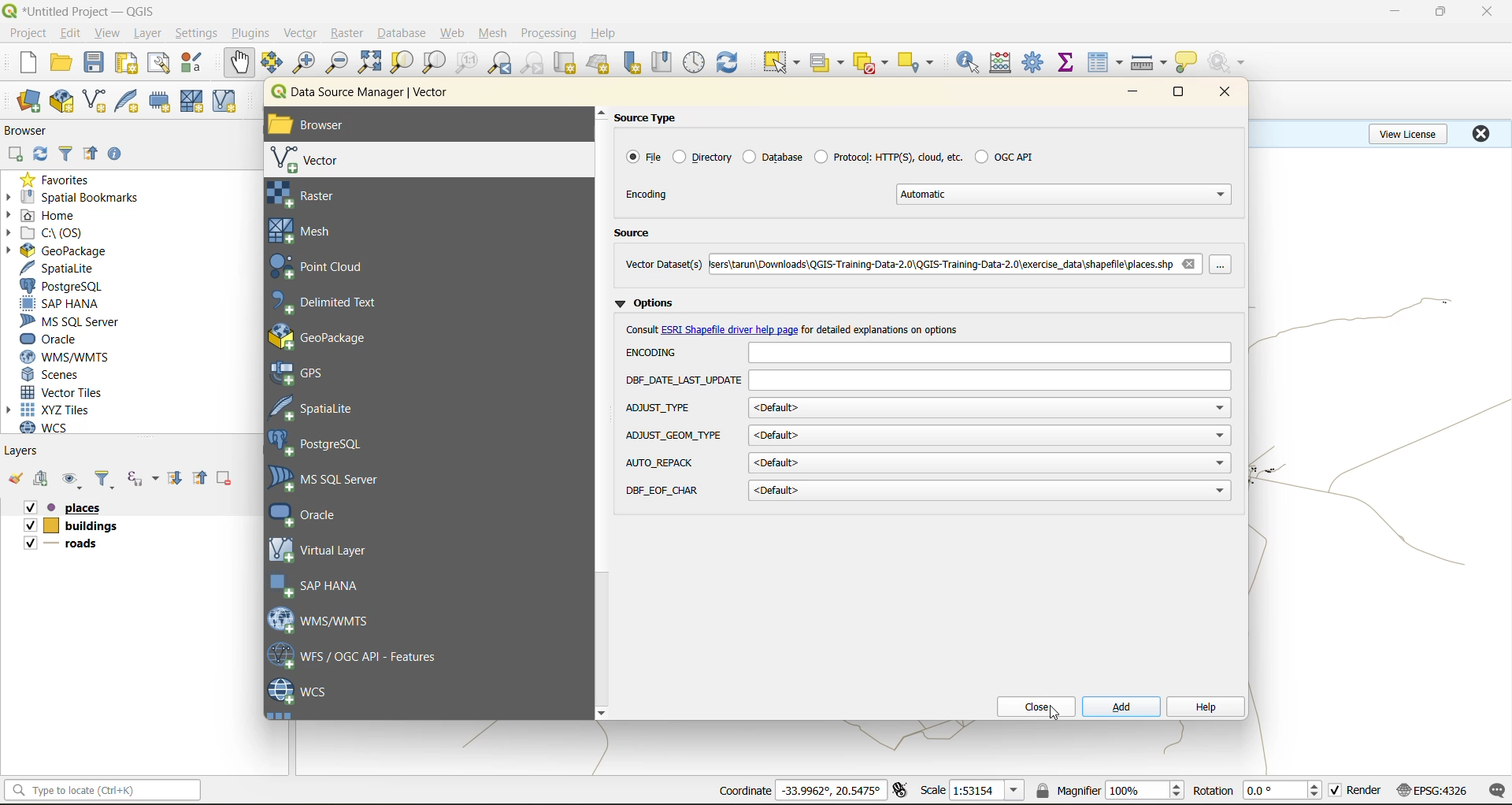 The image size is (1512, 805). I want to click on add, so click(14, 155).